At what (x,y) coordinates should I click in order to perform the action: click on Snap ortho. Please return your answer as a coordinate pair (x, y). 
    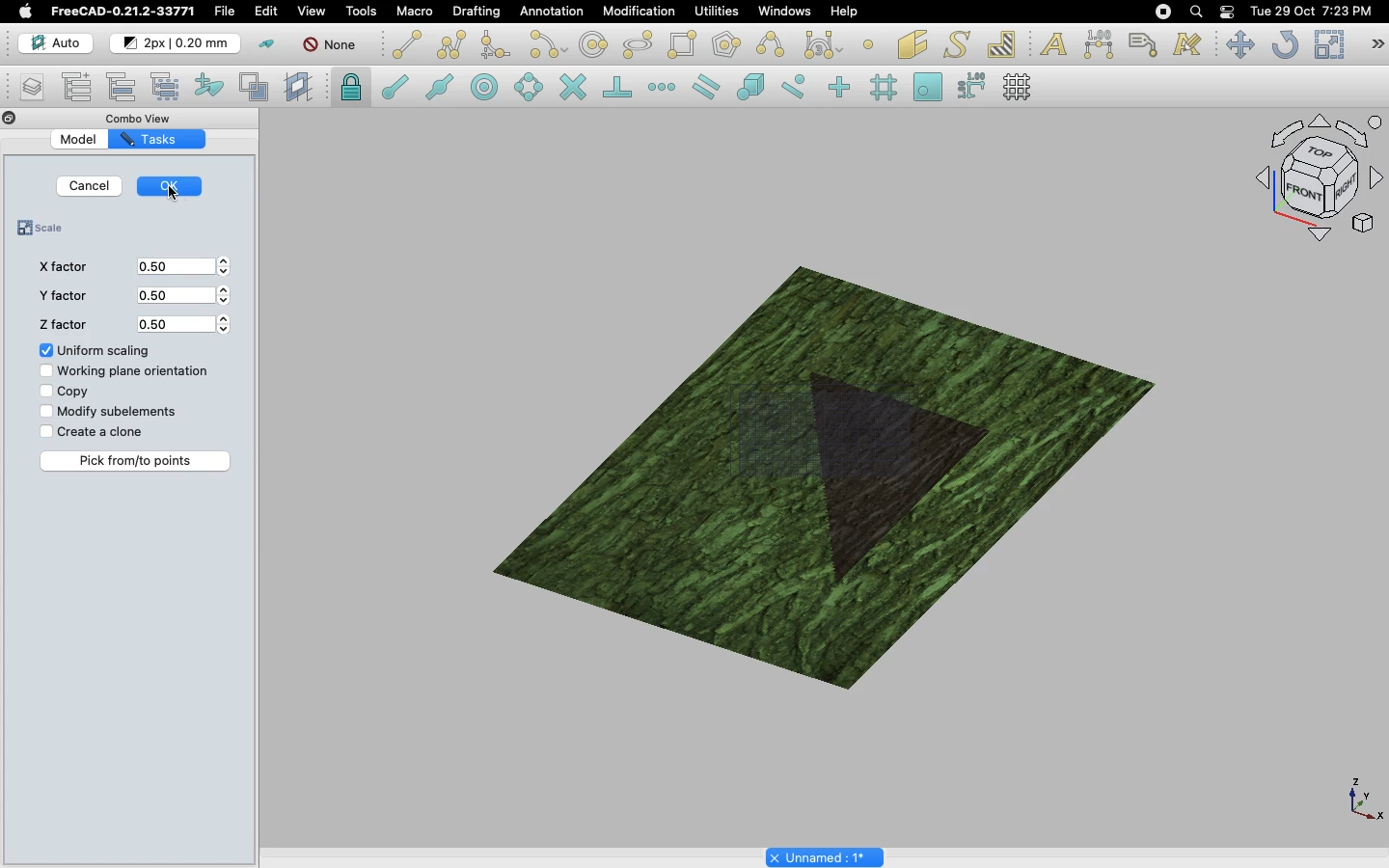
    Looking at the image, I should click on (833, 87).